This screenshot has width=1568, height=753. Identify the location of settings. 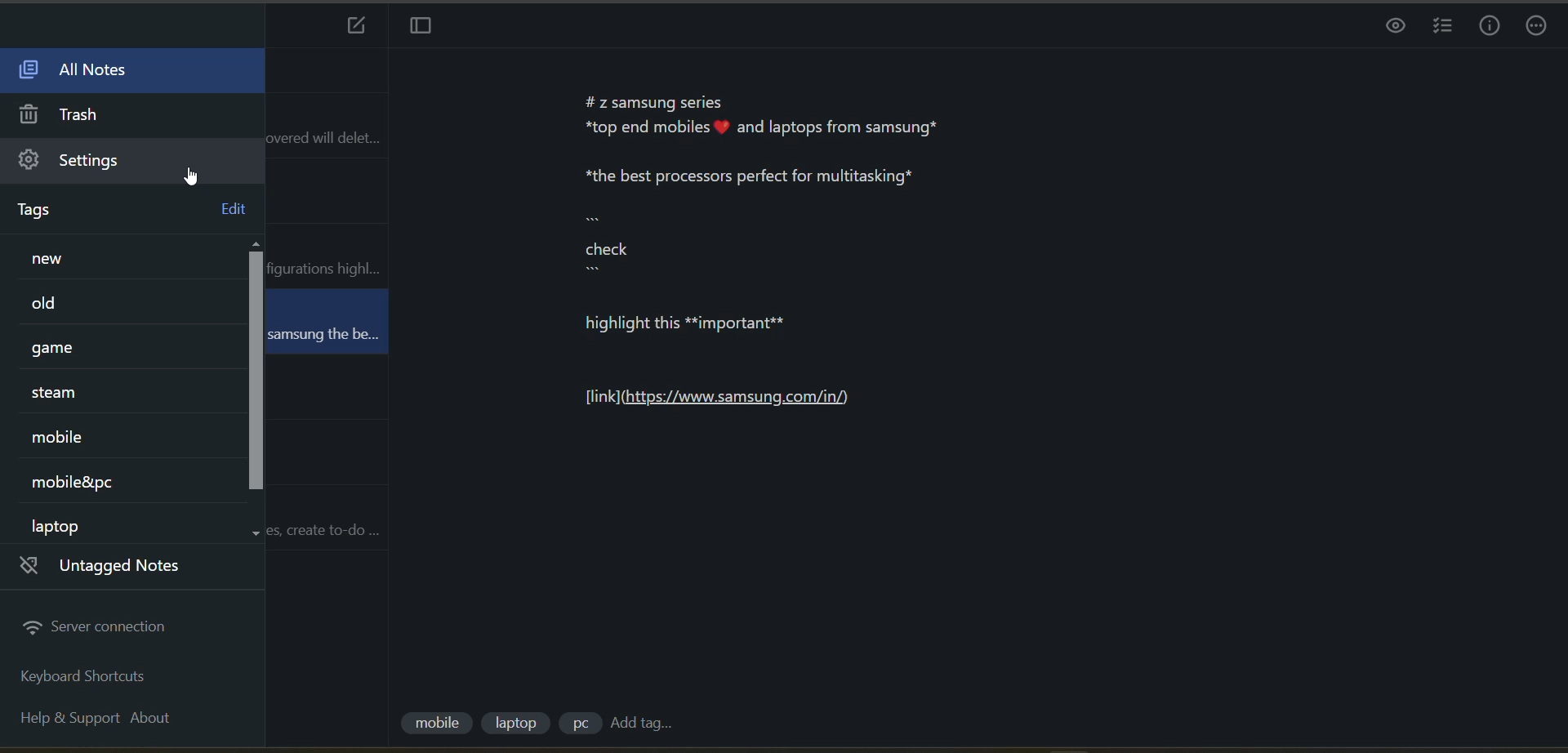
(88, 162).